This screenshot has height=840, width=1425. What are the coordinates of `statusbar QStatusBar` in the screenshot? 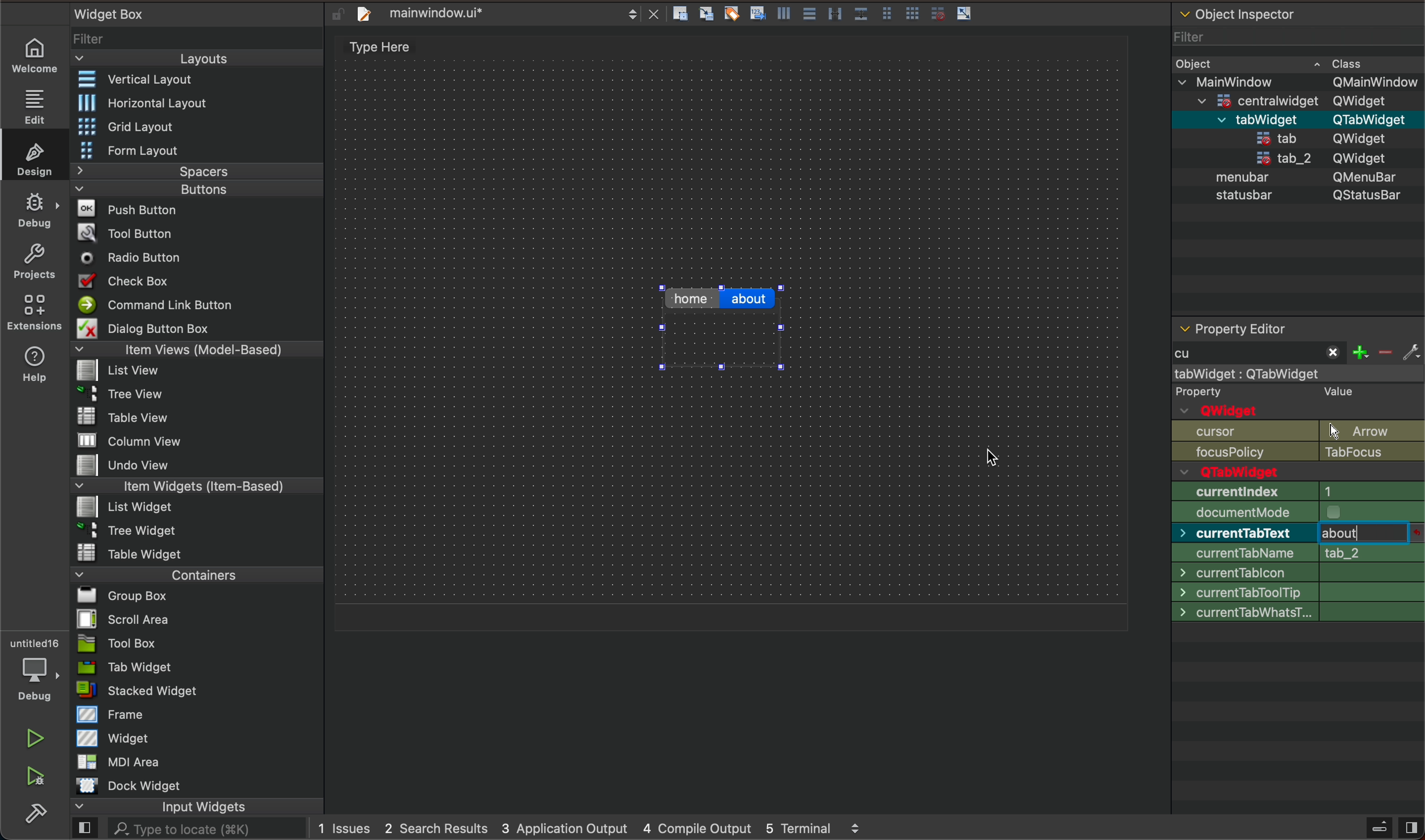 It's located at (1296, 138).